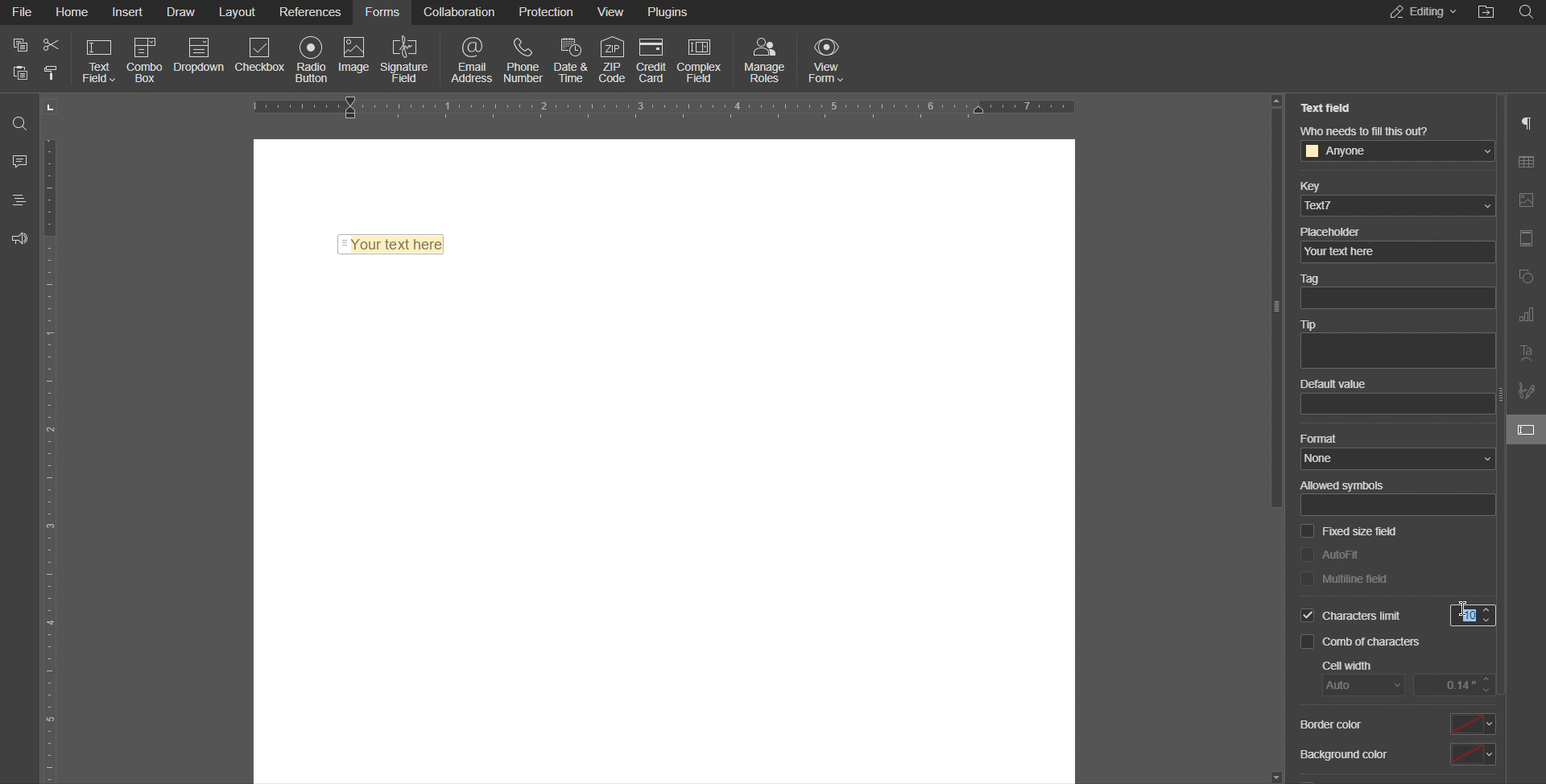 The image size is (1546, 784). I want to click on Collaboration, so click(460, 11).